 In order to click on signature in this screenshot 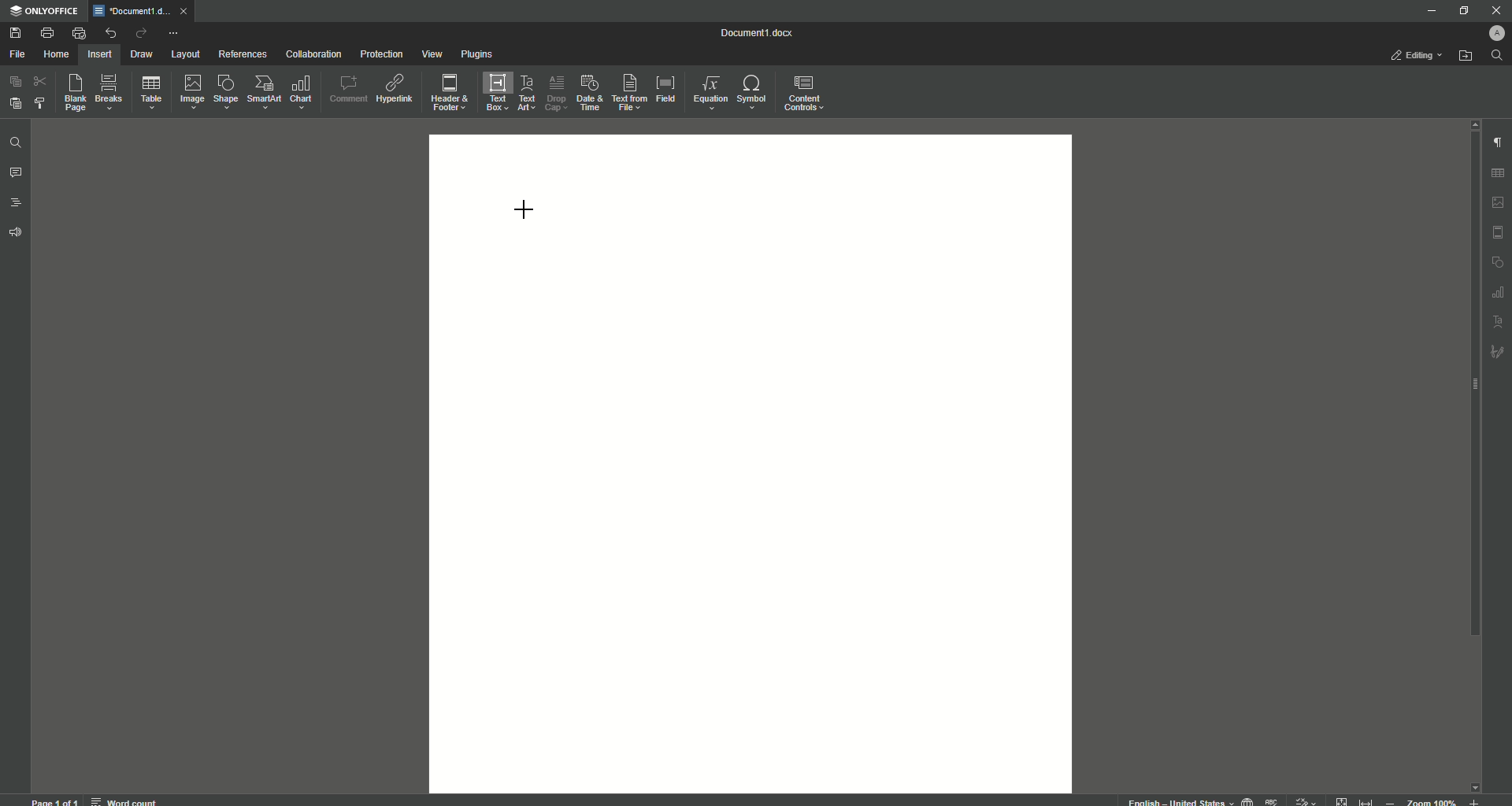, I will do `click(1498, 353)`.